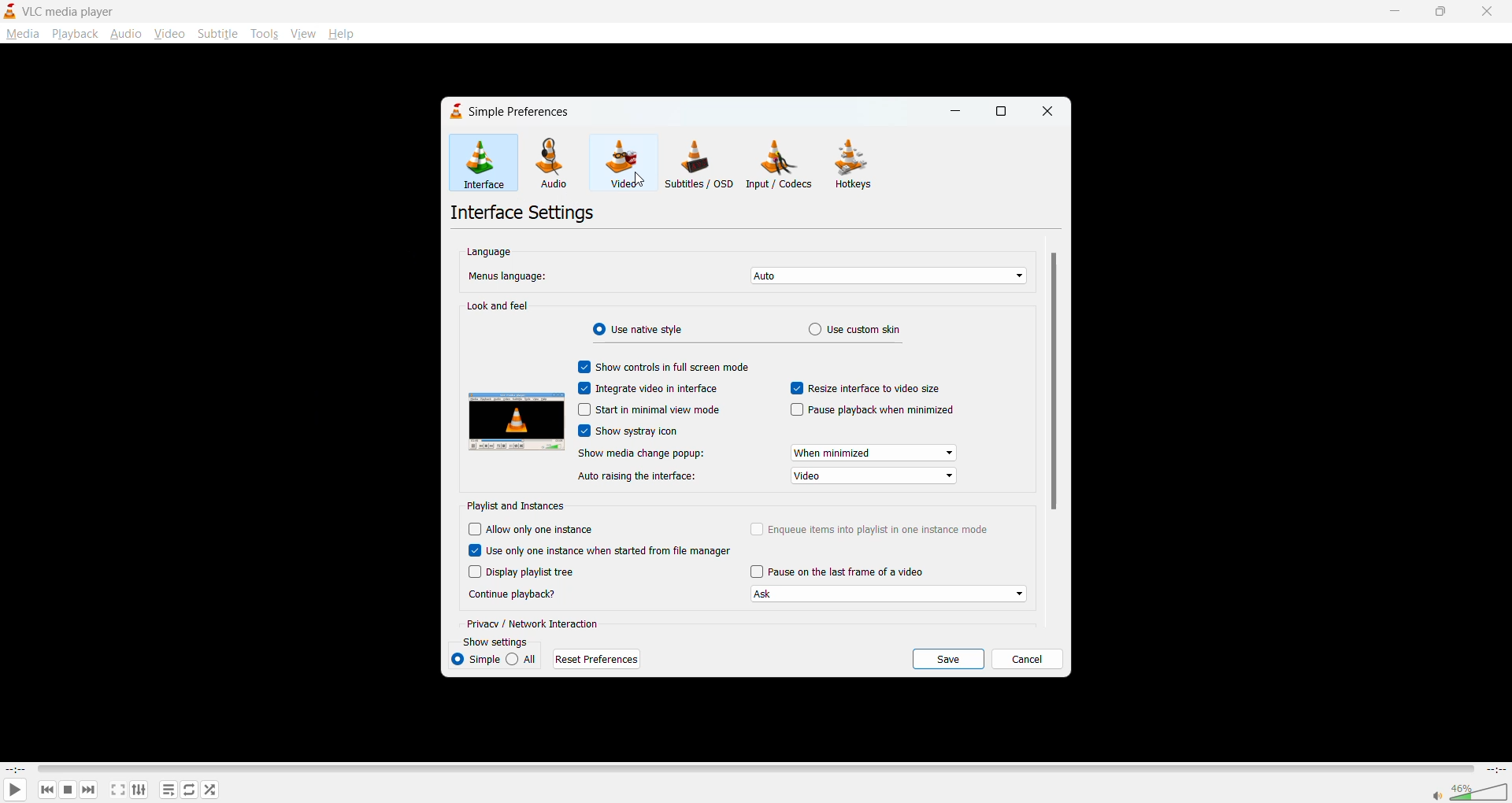 Image resolution: width=1512 pixels, height=803 pixels. I want to click on loop, so click(190, 790).